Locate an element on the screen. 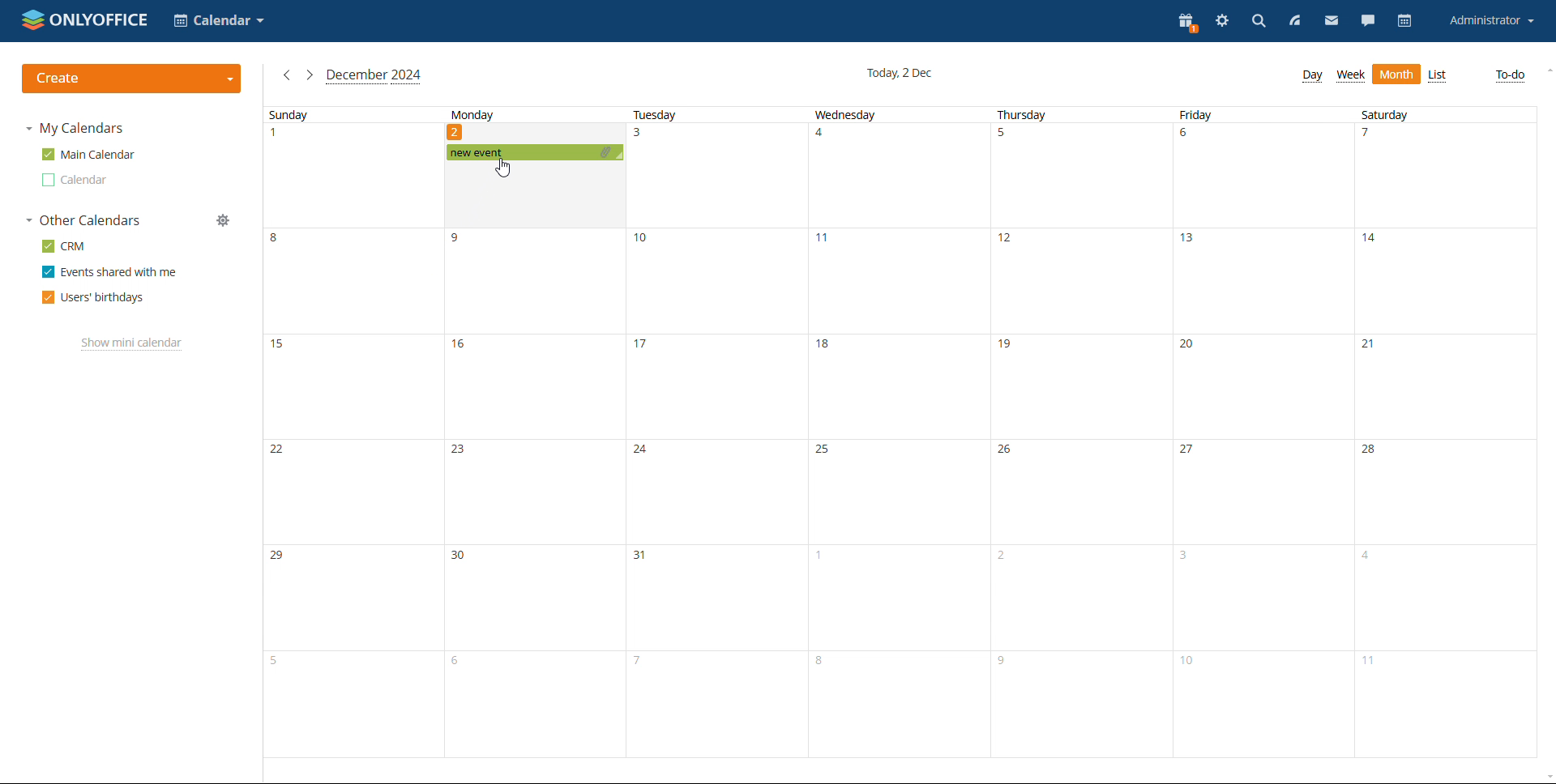  Thursday is located at coordinates (1024, 115).